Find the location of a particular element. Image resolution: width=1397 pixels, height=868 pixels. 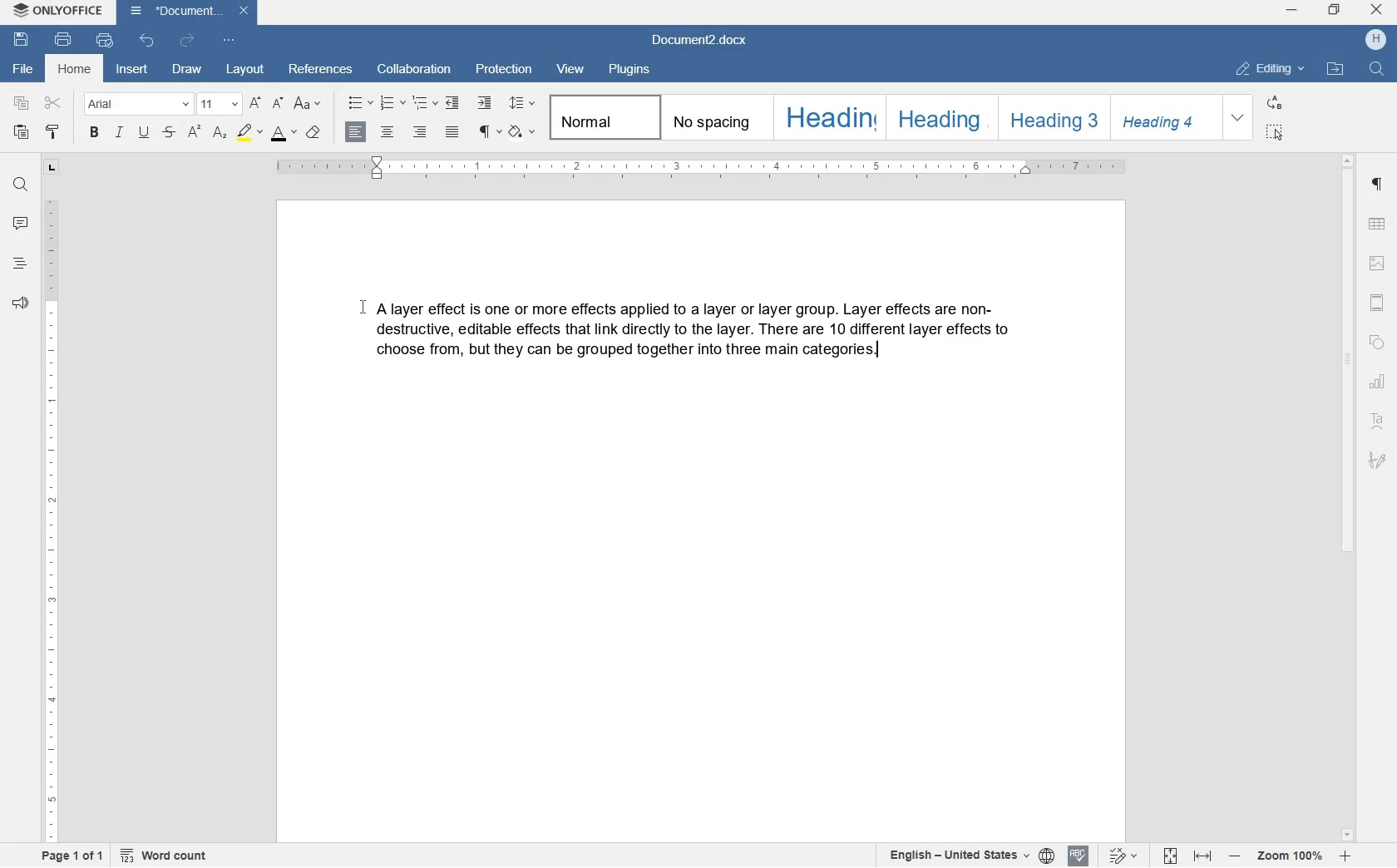

strikethrough is located at coordinates (170, 133).